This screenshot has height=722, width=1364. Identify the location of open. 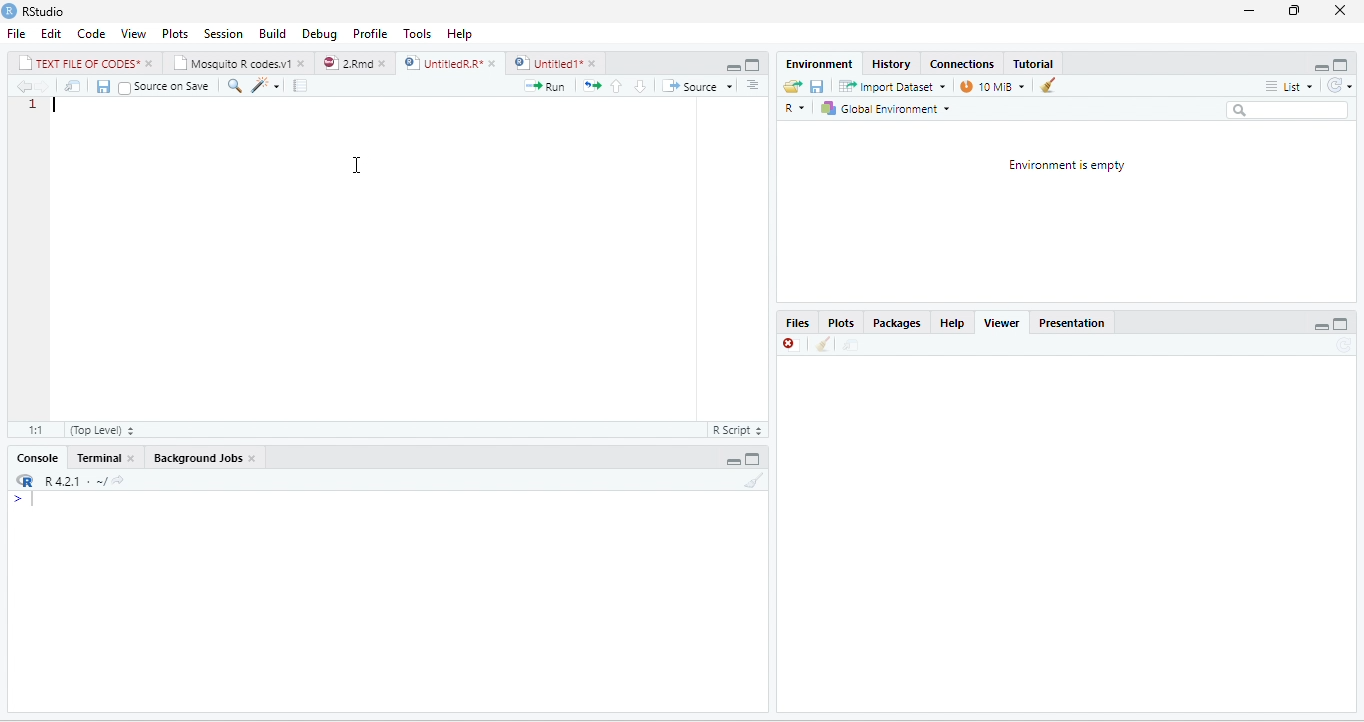
(789, 87).